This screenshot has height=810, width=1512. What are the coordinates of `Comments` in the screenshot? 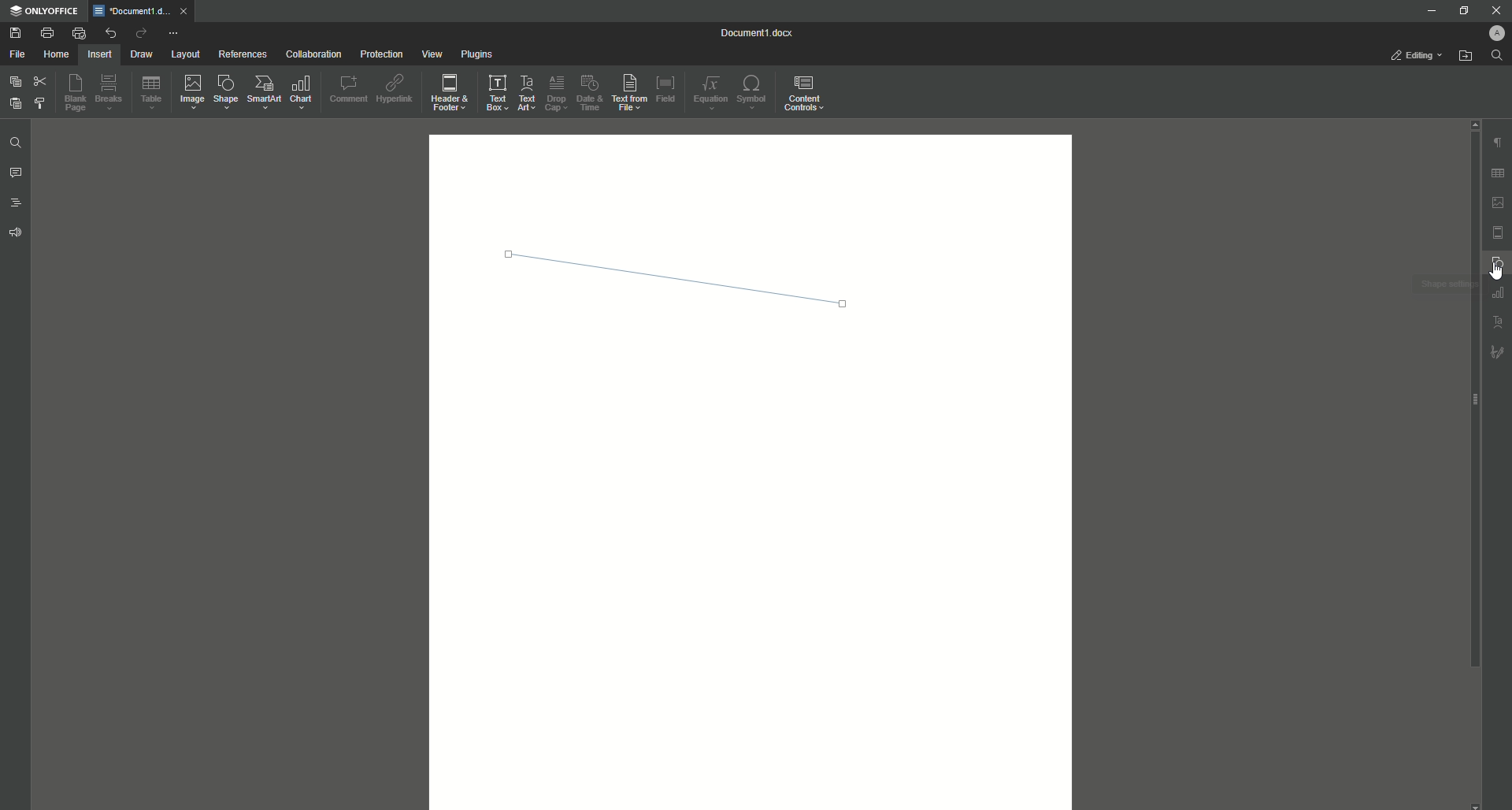 It's located at (16, 175).